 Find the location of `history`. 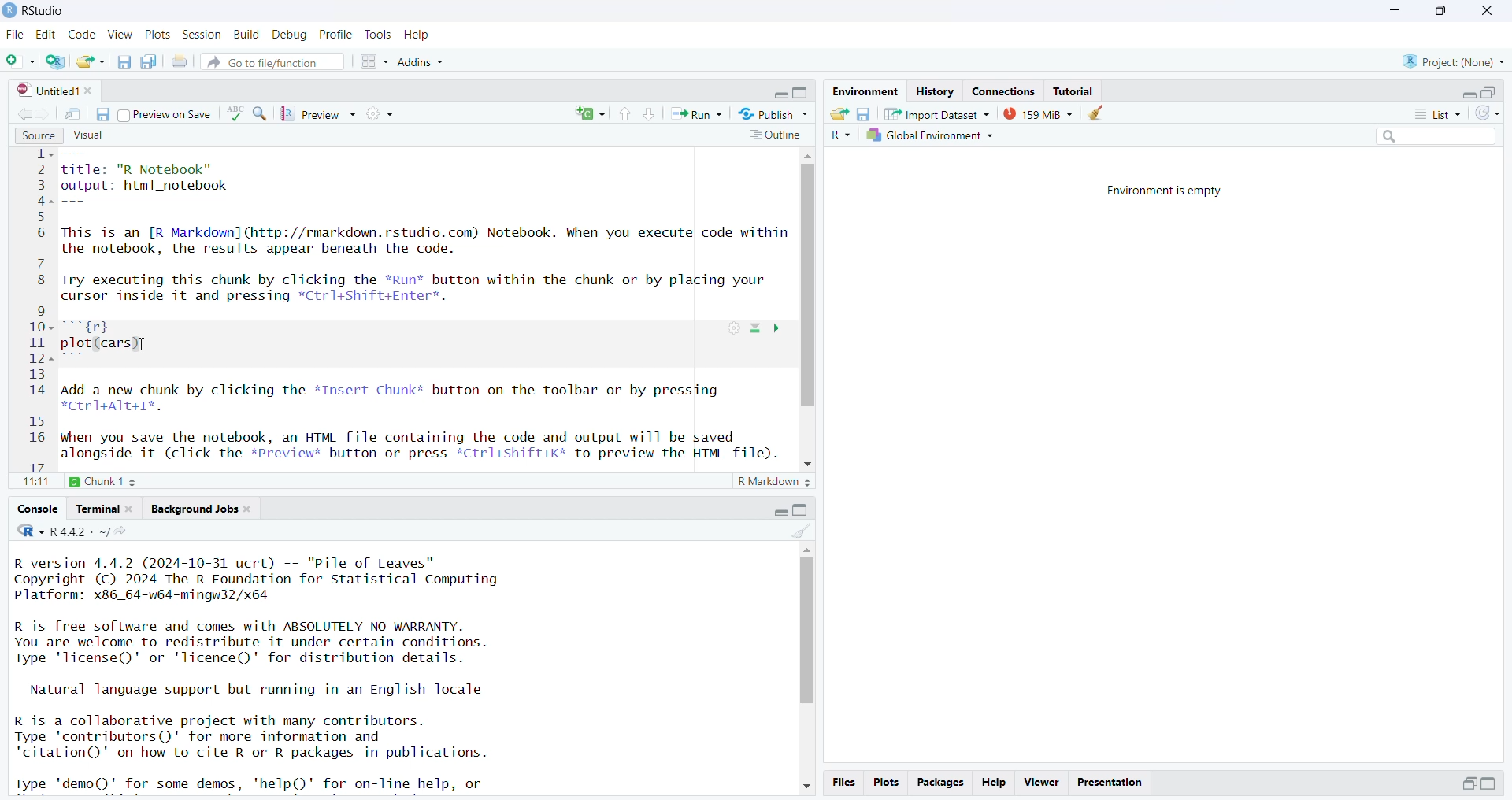

history is located at coordinates (934, 92).